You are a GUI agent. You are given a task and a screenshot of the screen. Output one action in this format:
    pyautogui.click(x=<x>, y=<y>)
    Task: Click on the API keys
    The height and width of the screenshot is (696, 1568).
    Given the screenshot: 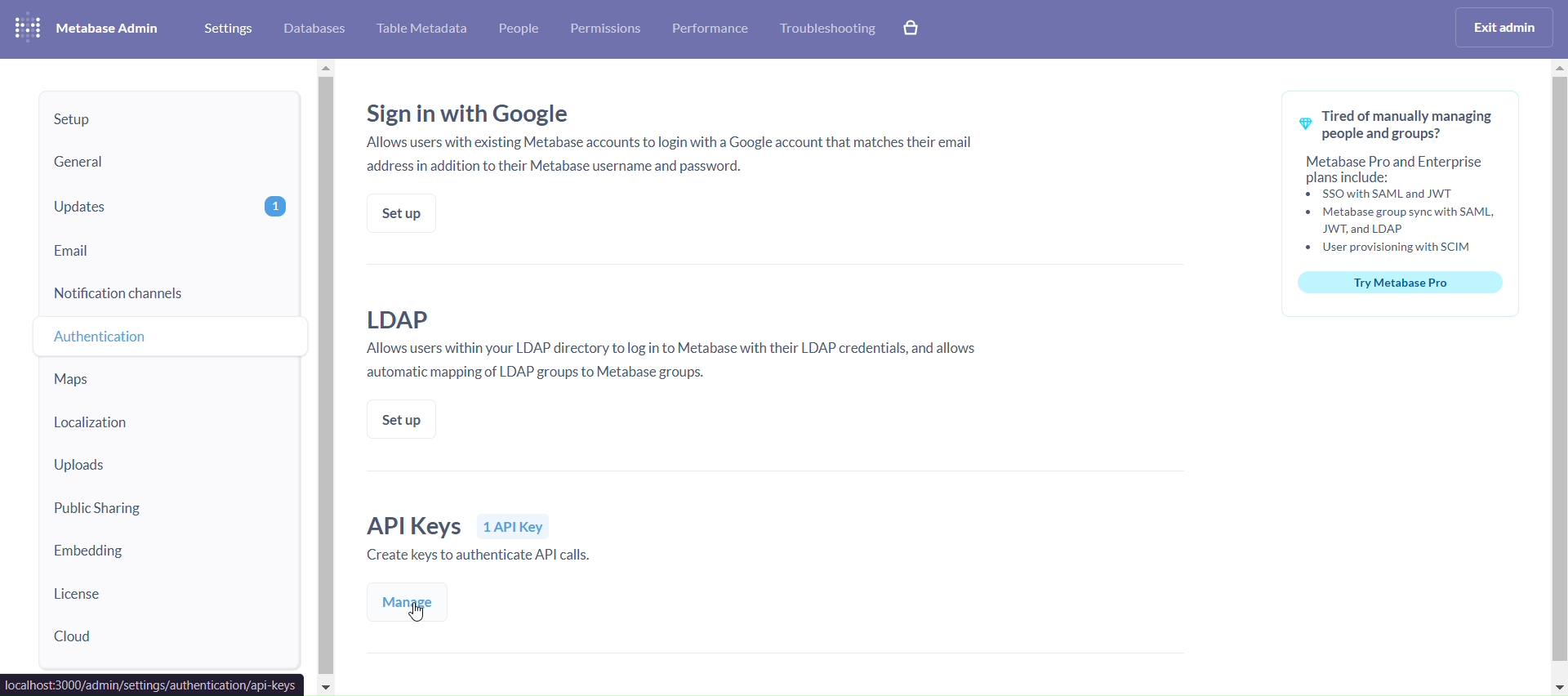 What is the action you would take?
    pyautogui.click(x=500, y=541)
    